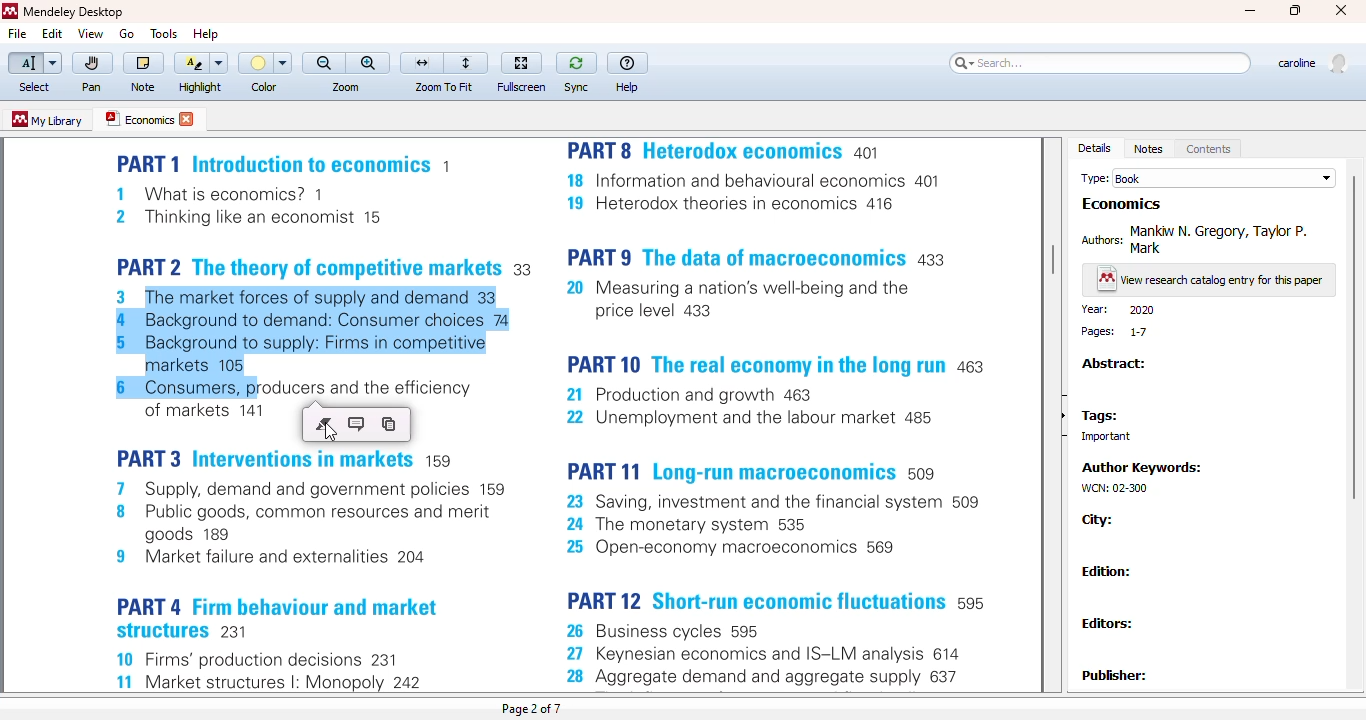 The image size is (1366, 720). What do you see at coordinates (531, 708) in the screenshot?
I see `page 2 of 7` at bounding box center [531, 708].